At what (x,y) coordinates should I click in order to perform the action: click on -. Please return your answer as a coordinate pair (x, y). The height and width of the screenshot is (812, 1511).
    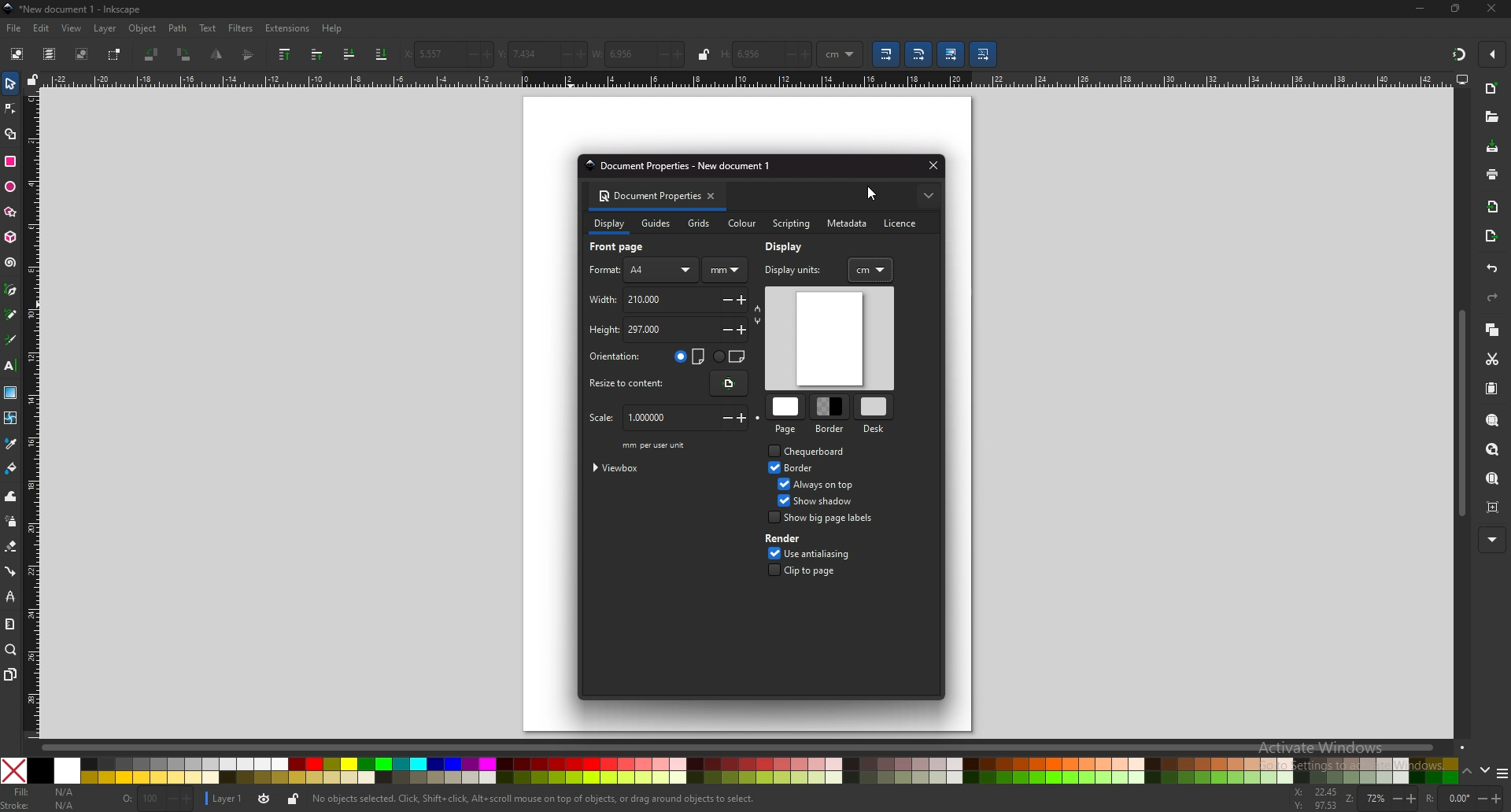
    Looking at the image, I should click on (659, 55).